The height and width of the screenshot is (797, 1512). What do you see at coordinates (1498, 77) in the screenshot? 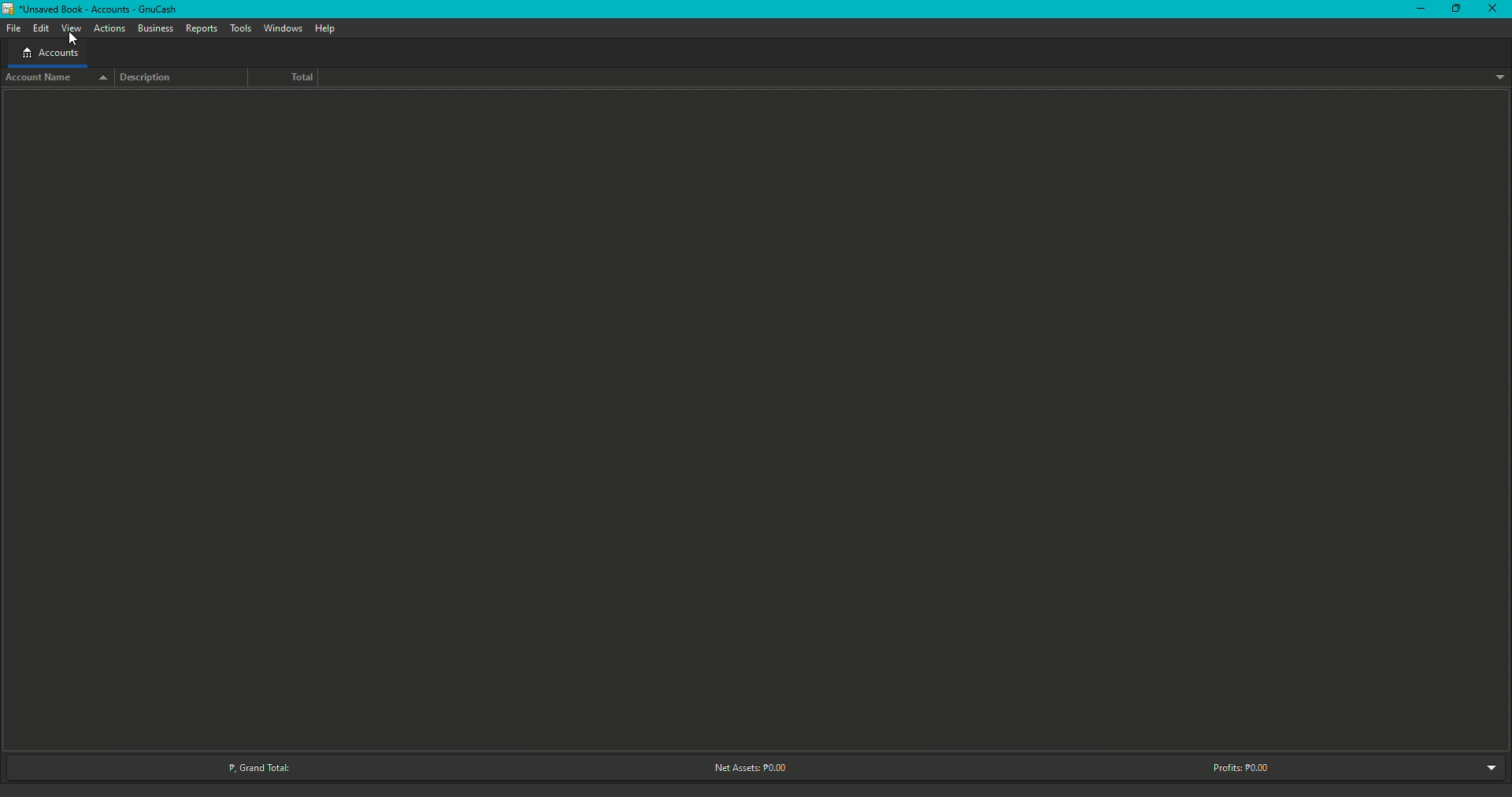
I see `Drop down` at bounding box center [1498, 77].